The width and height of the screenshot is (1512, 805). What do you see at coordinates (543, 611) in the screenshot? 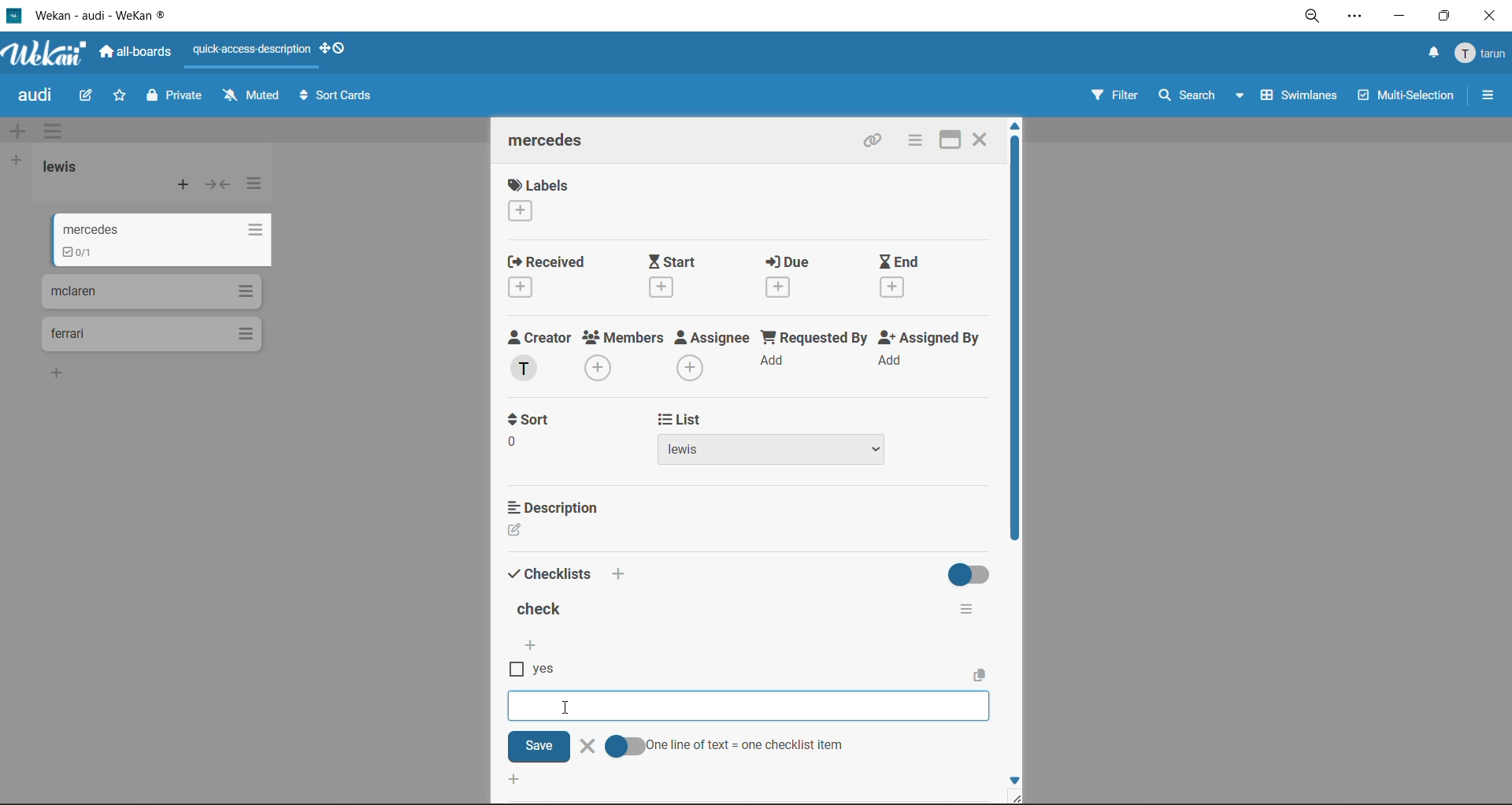
I see `checklist title` at bounding box center [543, 611].